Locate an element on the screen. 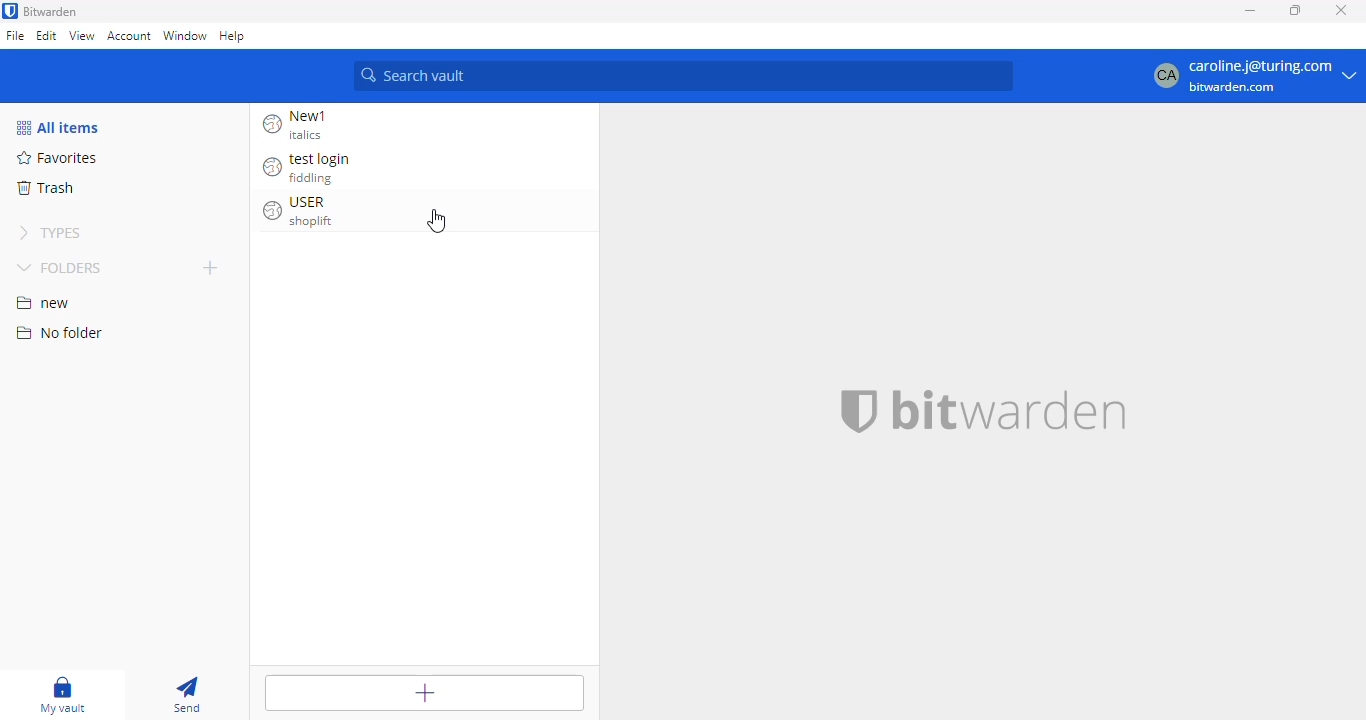 The width and height of the screenshot is (1366, 720). bitwarden is located at coordinates (52, 11).